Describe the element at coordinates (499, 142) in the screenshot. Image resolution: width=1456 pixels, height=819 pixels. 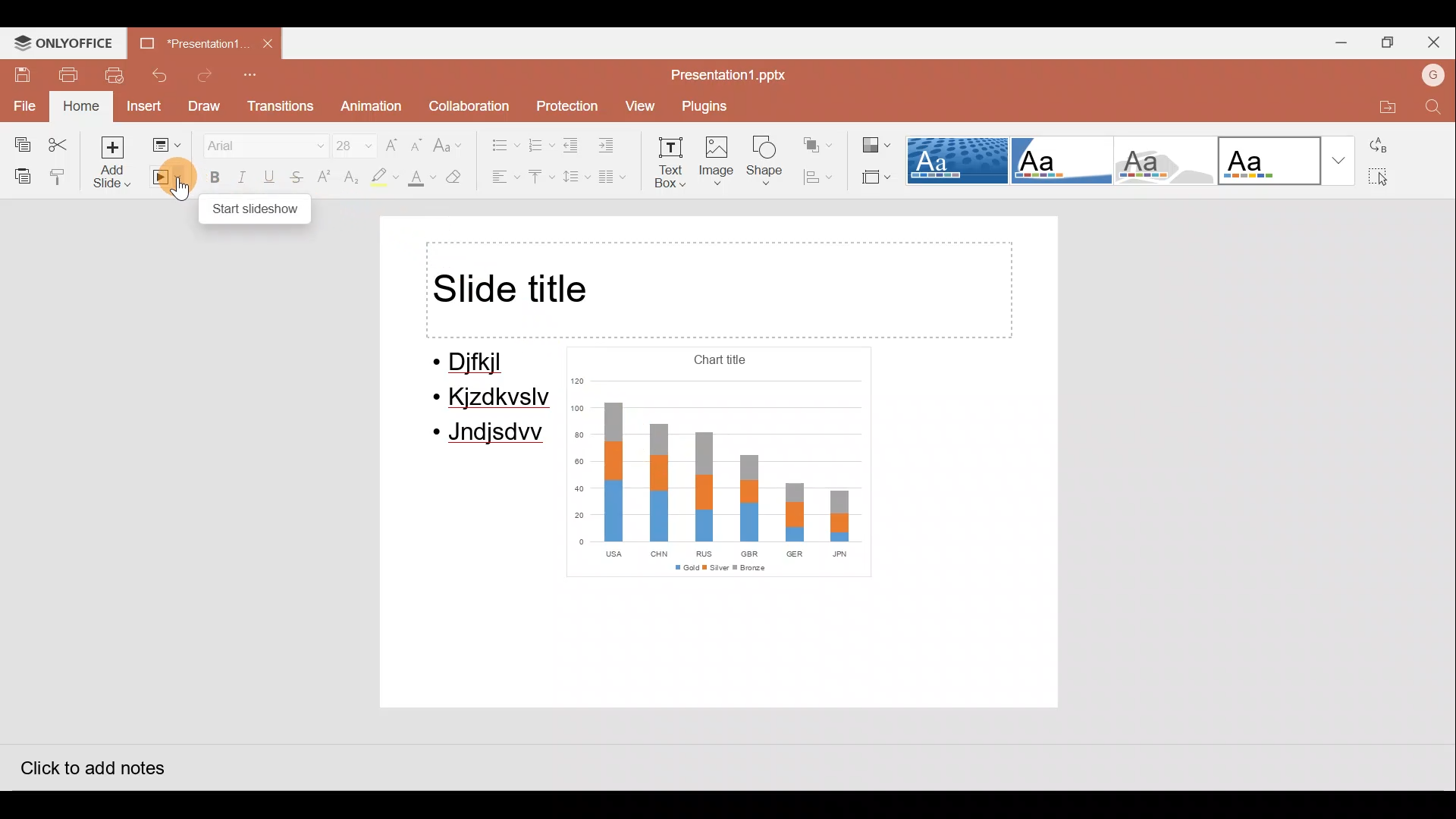
I see `Bullets` at that location.